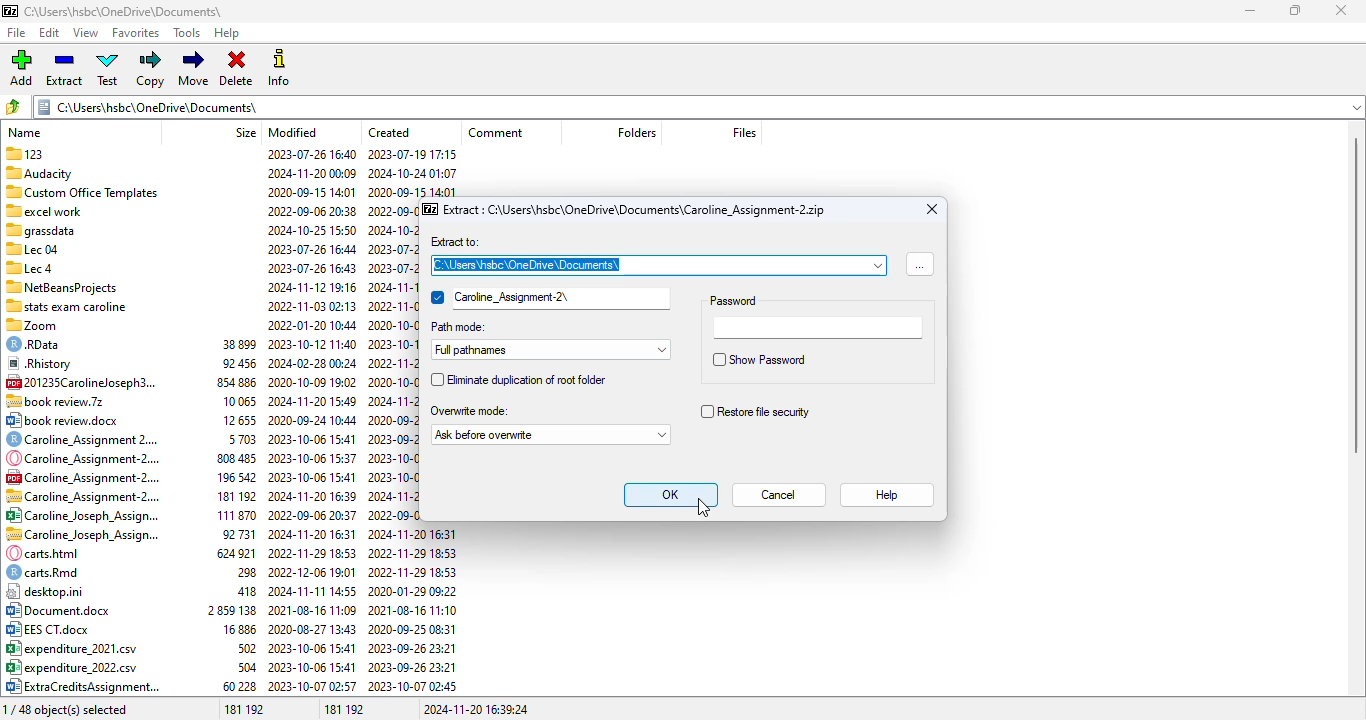  What do you see at coordinates (195, 68) in the screenshot?
I see `move` at bounding box center [195, 68].